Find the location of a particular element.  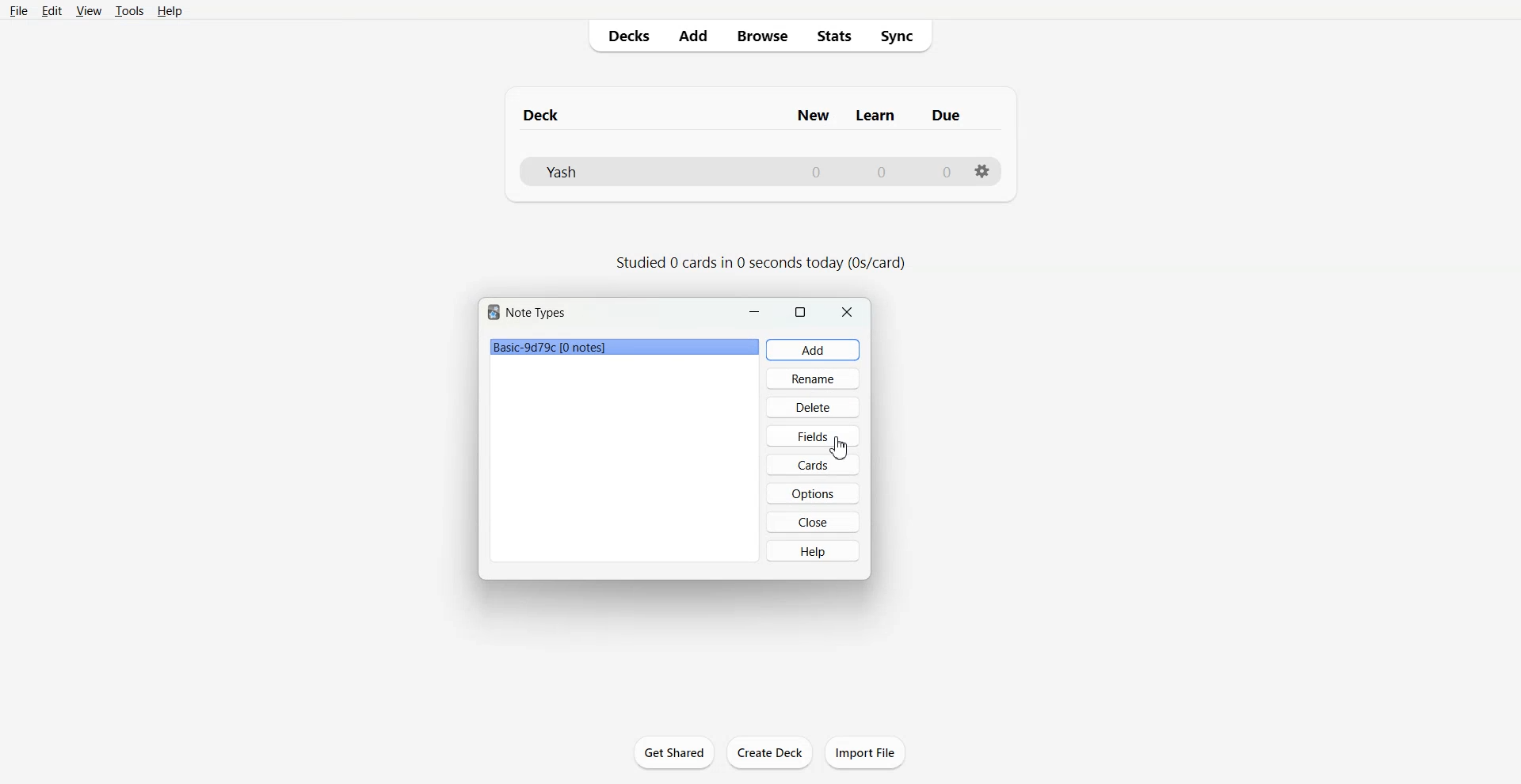

Add is located at coordinates (813, 349).